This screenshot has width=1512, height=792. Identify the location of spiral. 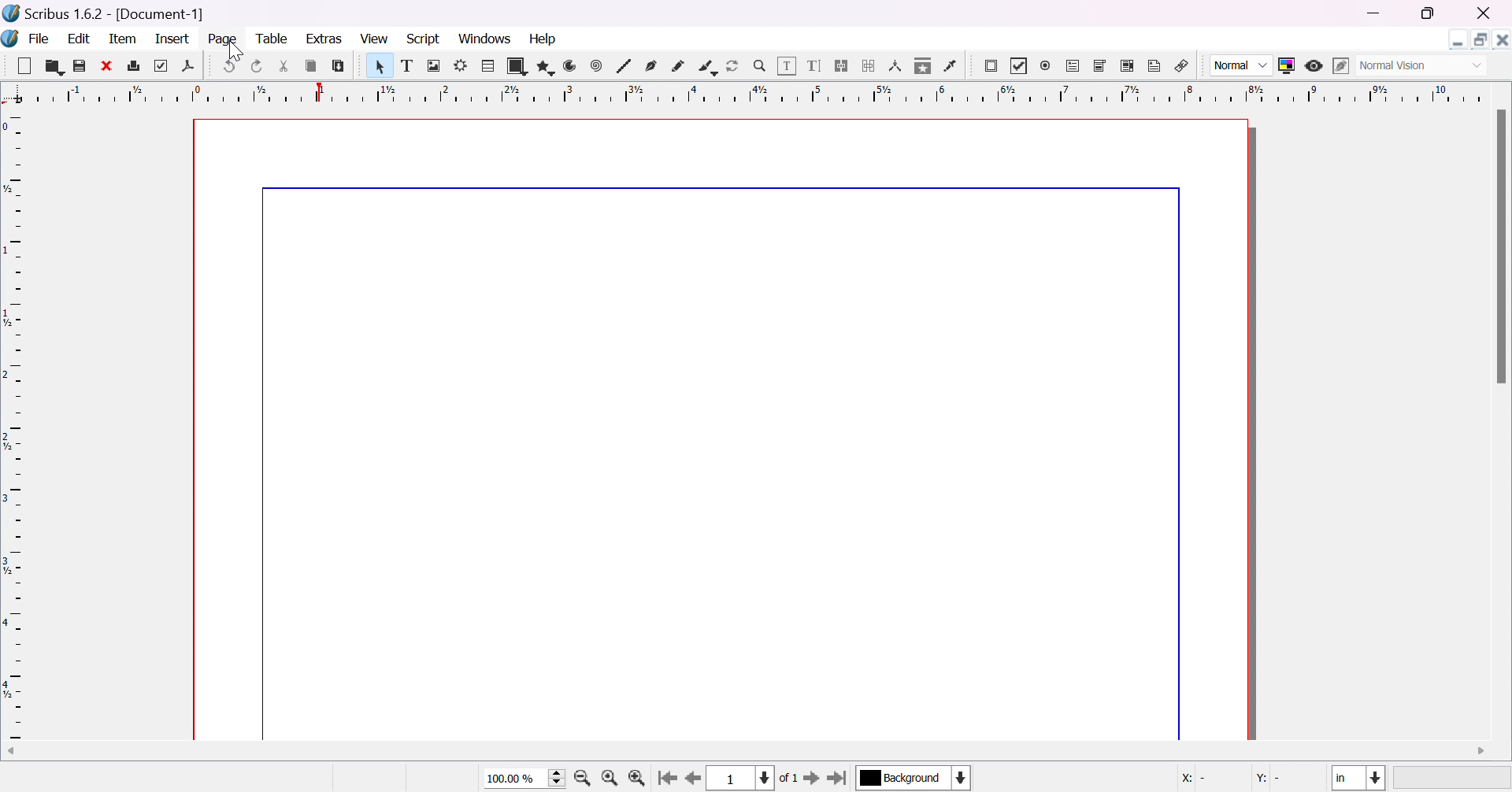
(596, 65).